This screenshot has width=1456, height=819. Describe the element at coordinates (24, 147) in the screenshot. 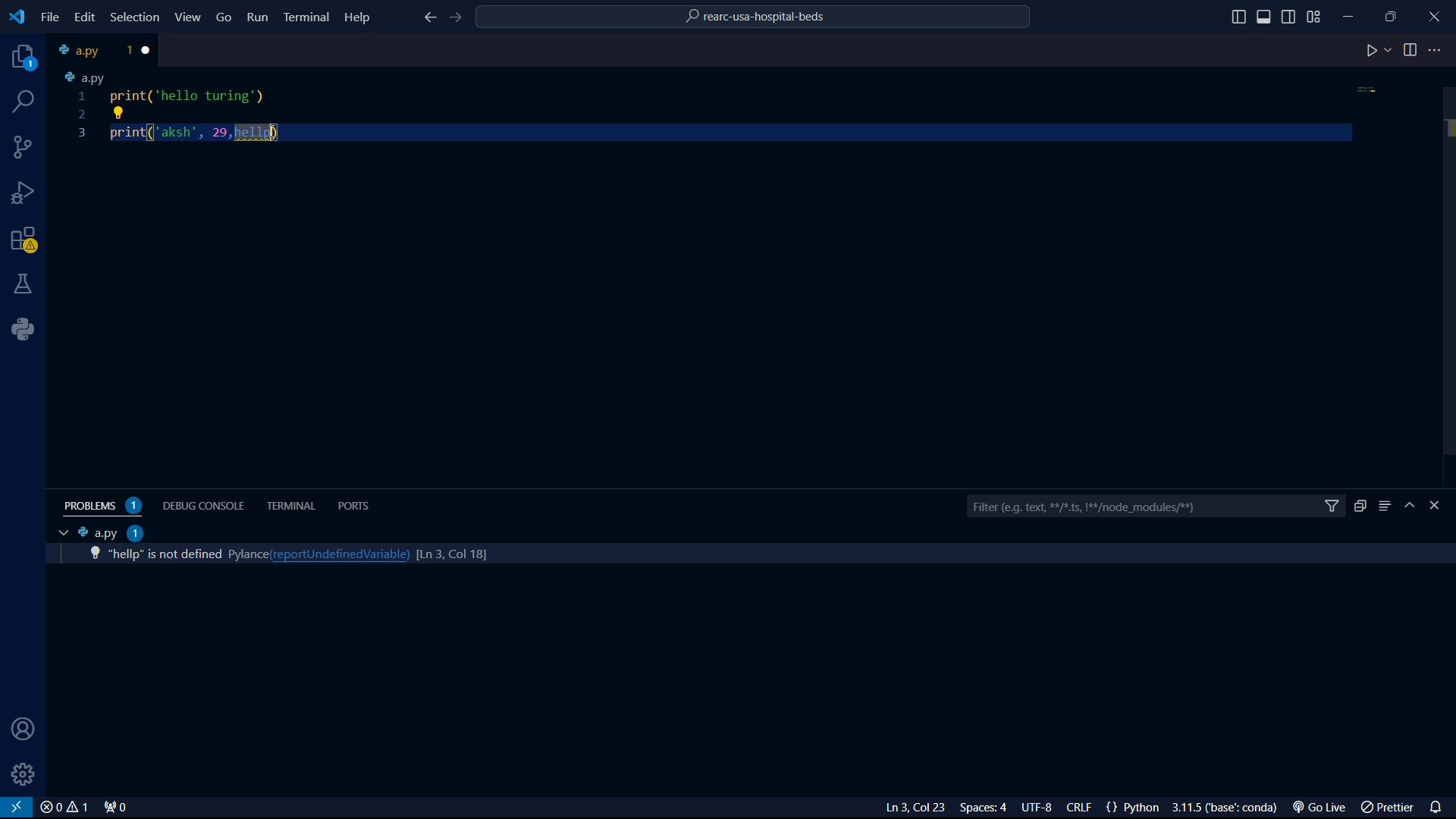

I see `connections` at that location.